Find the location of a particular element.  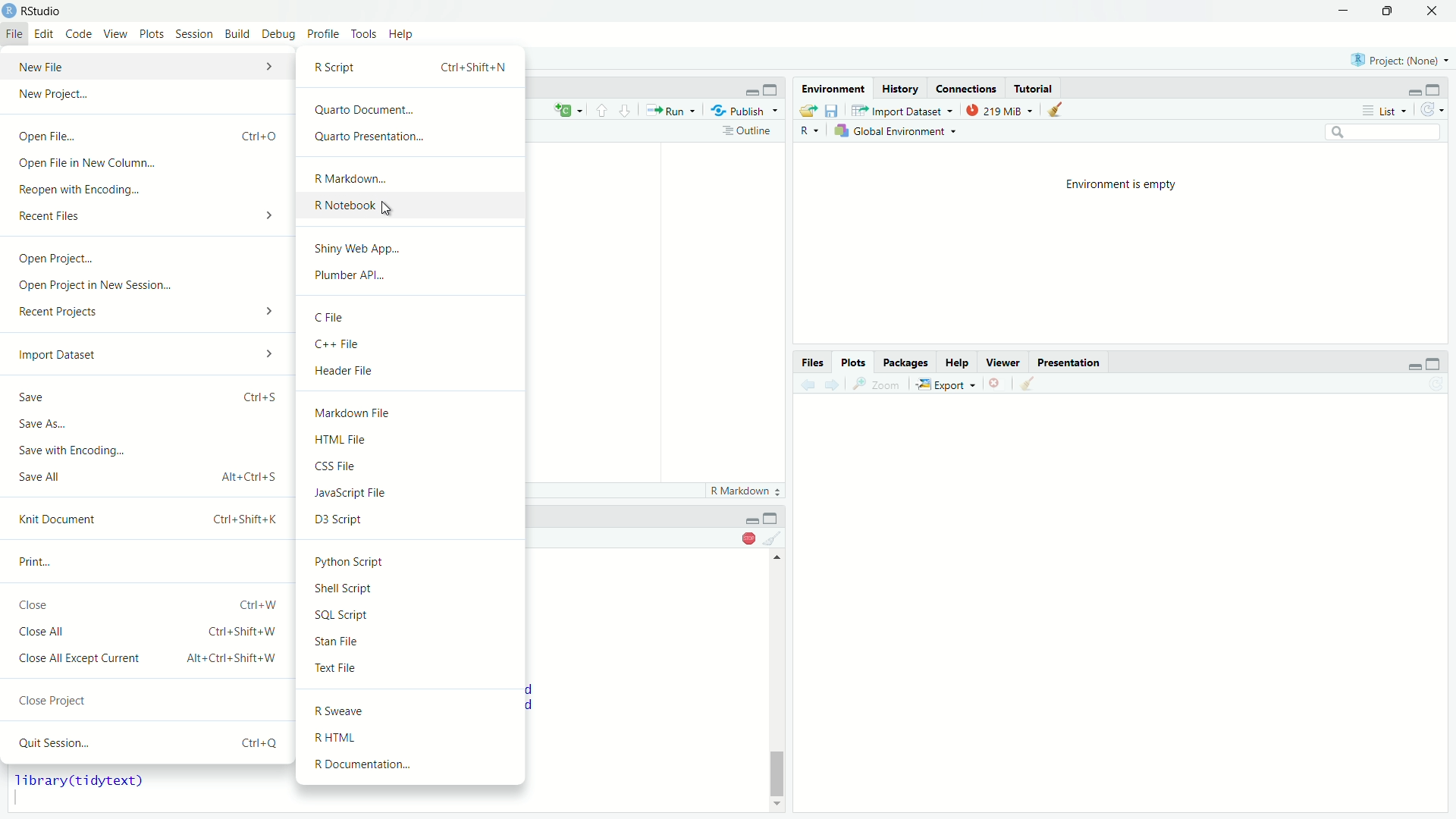

Debug is located at coordinates (279, 35).